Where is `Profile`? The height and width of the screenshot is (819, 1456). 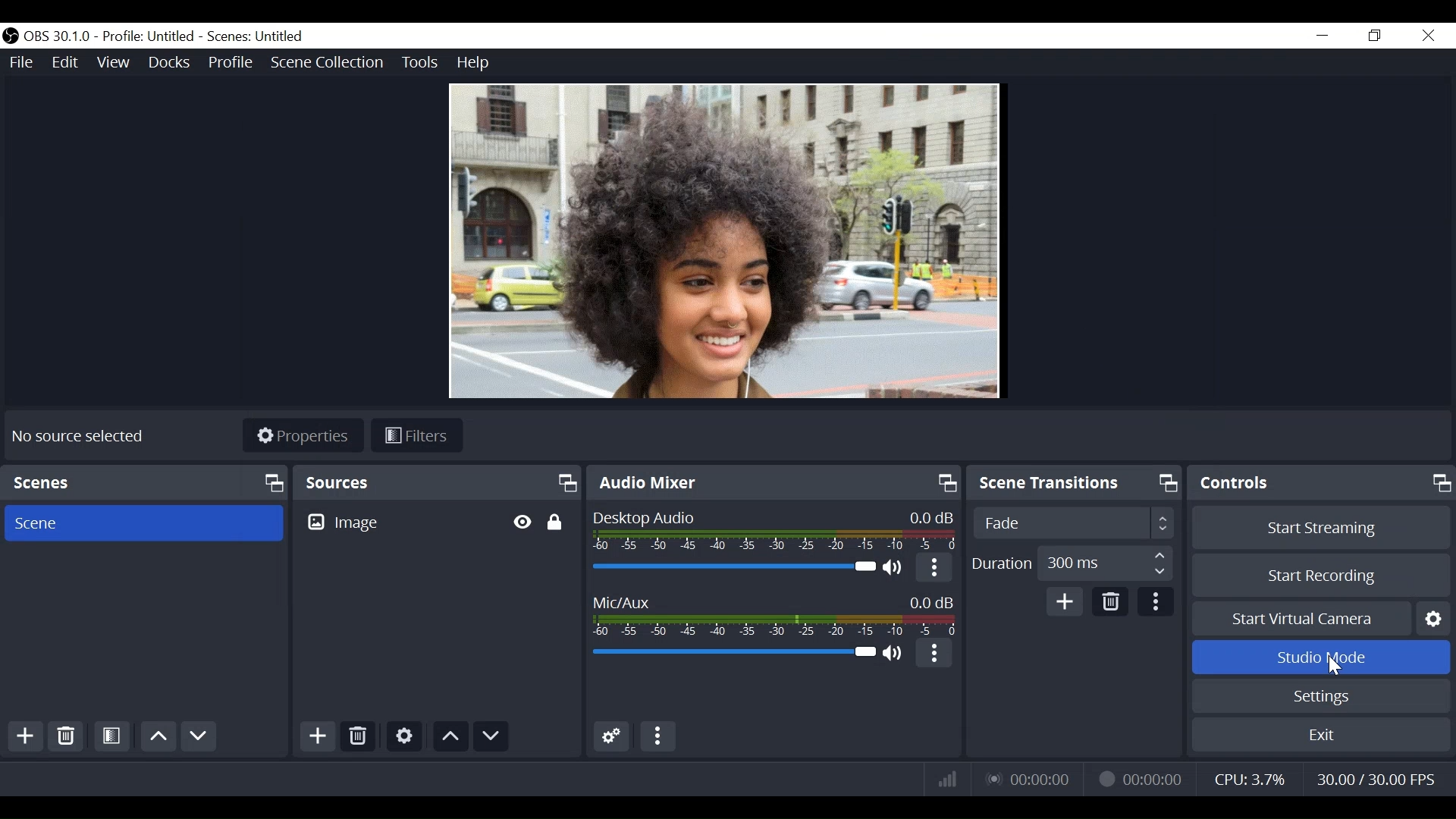
Profile is located at coordinates (231, 63).